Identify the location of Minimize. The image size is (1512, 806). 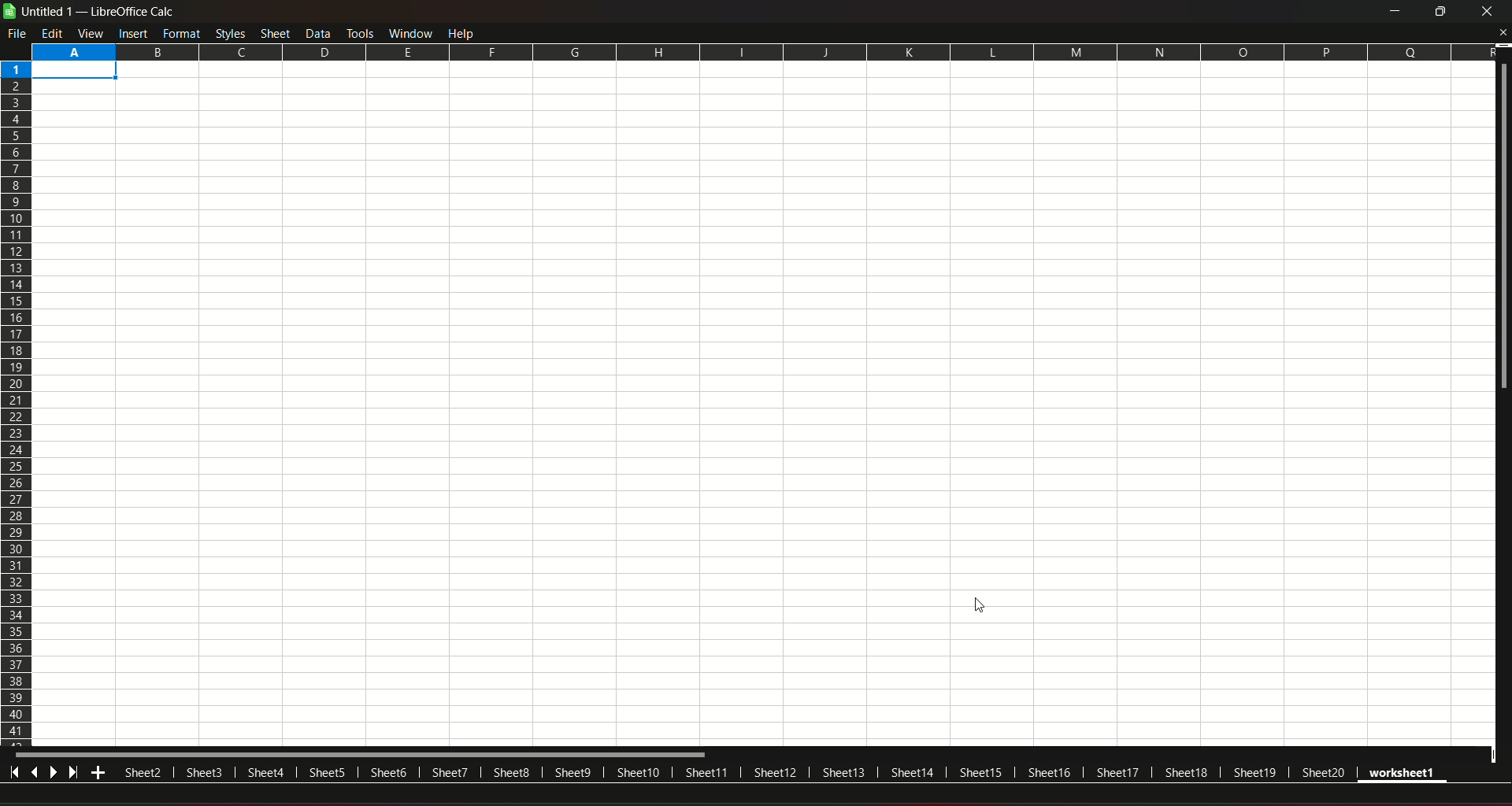
(1392, 12).